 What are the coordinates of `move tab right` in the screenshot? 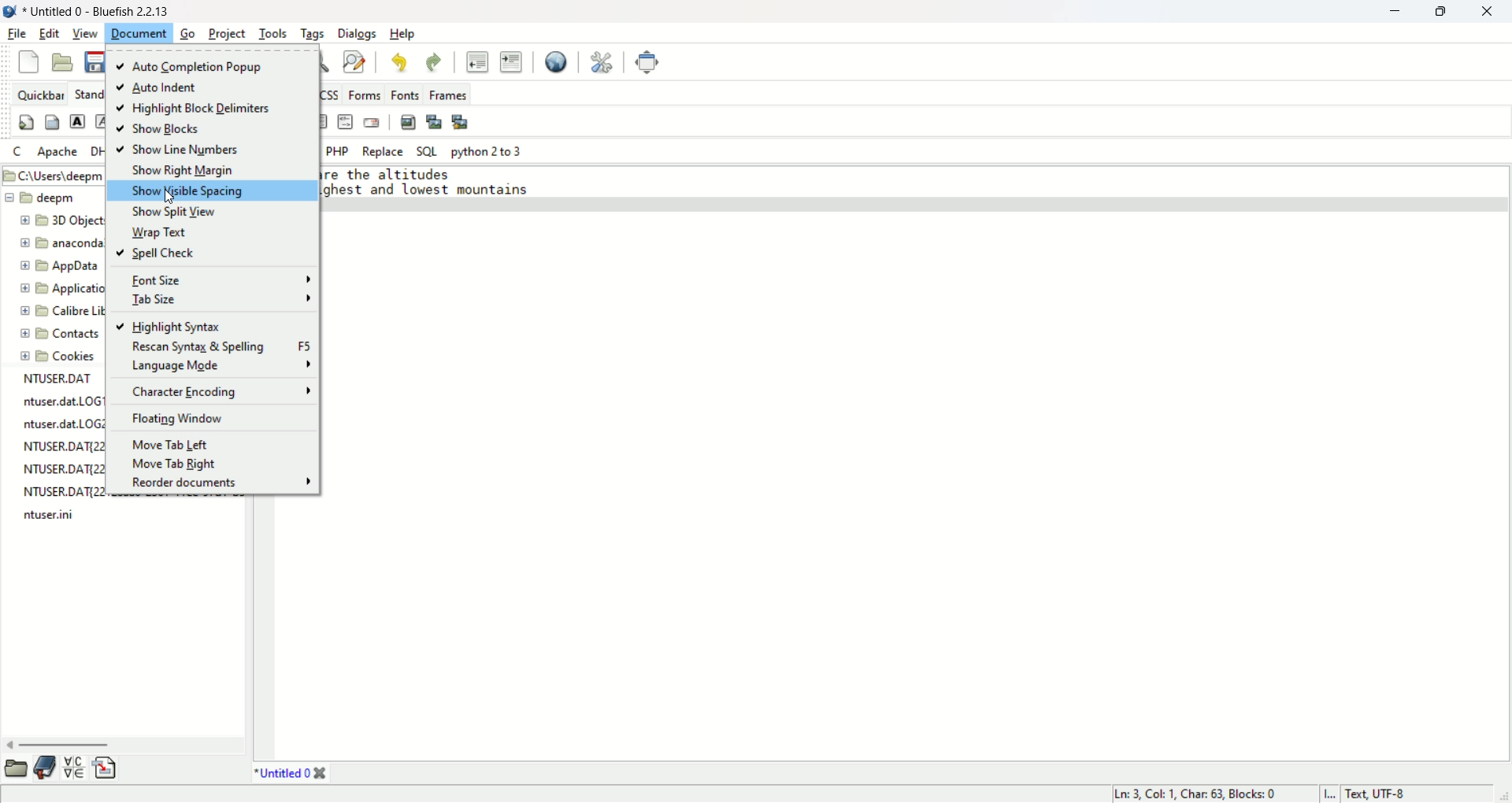 It's located at (177, 464).